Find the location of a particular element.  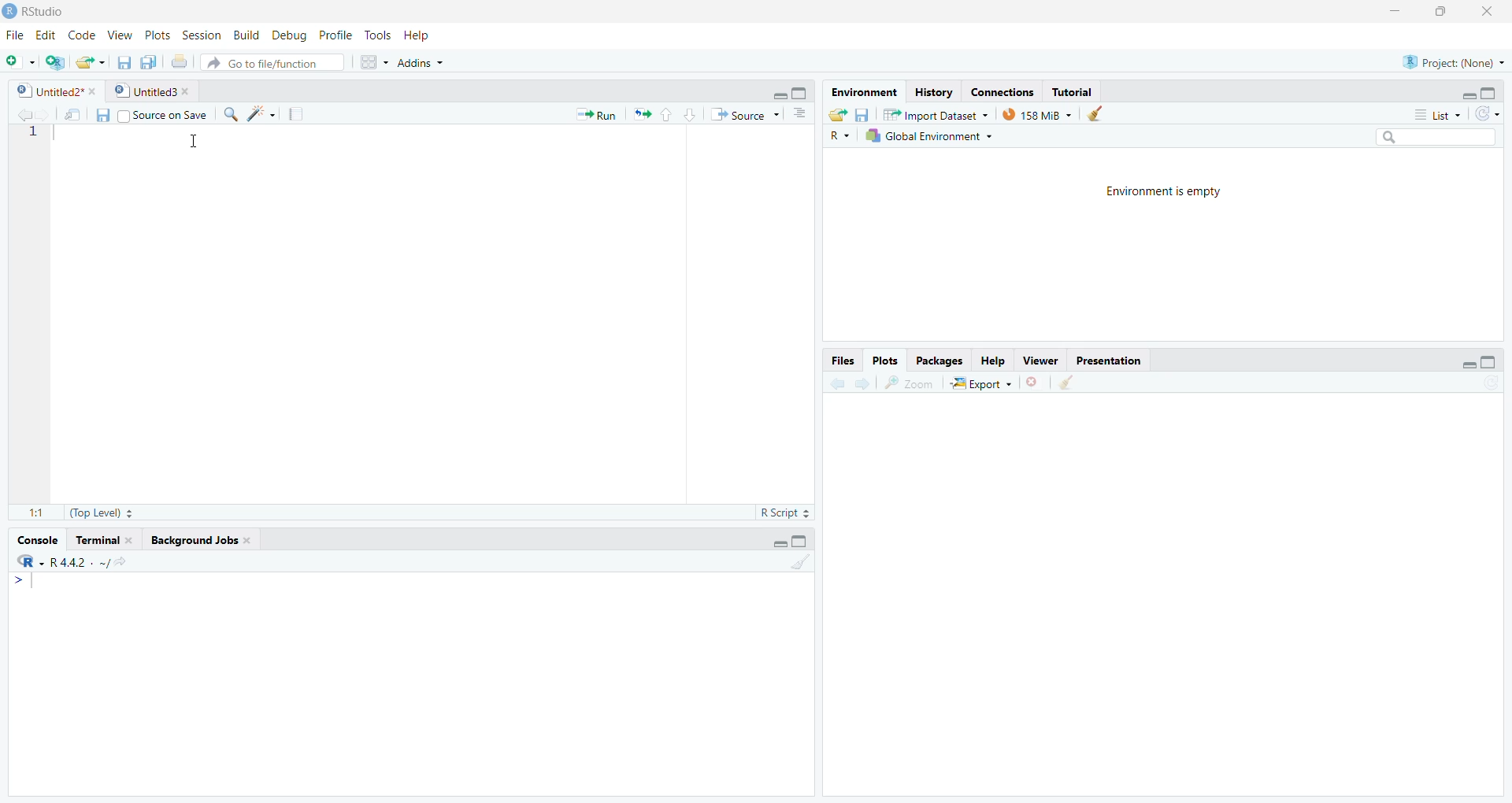

R~ is located at coordinates (840, 134).